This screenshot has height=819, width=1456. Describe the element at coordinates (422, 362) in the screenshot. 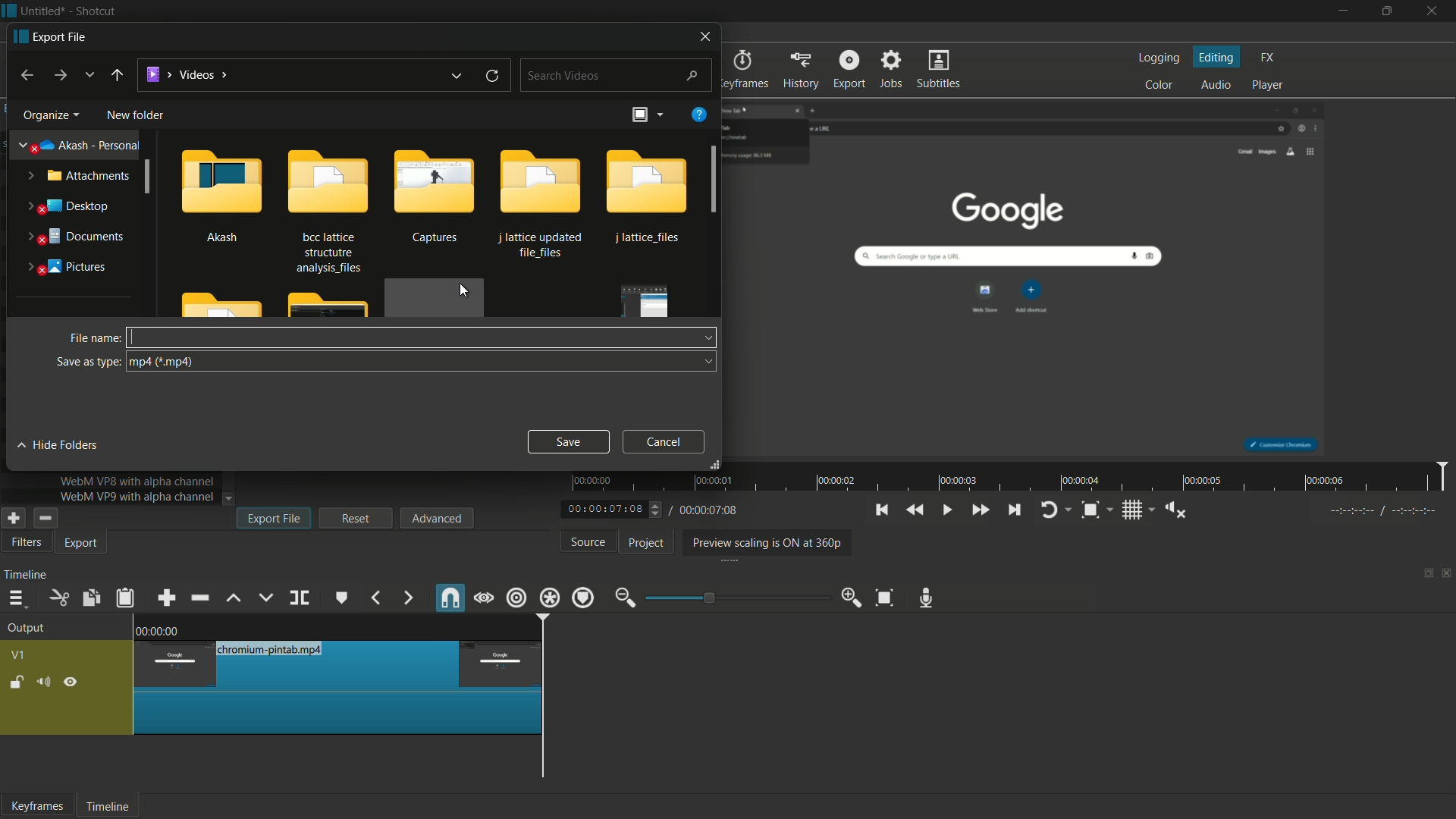

I see `file format` at that location.